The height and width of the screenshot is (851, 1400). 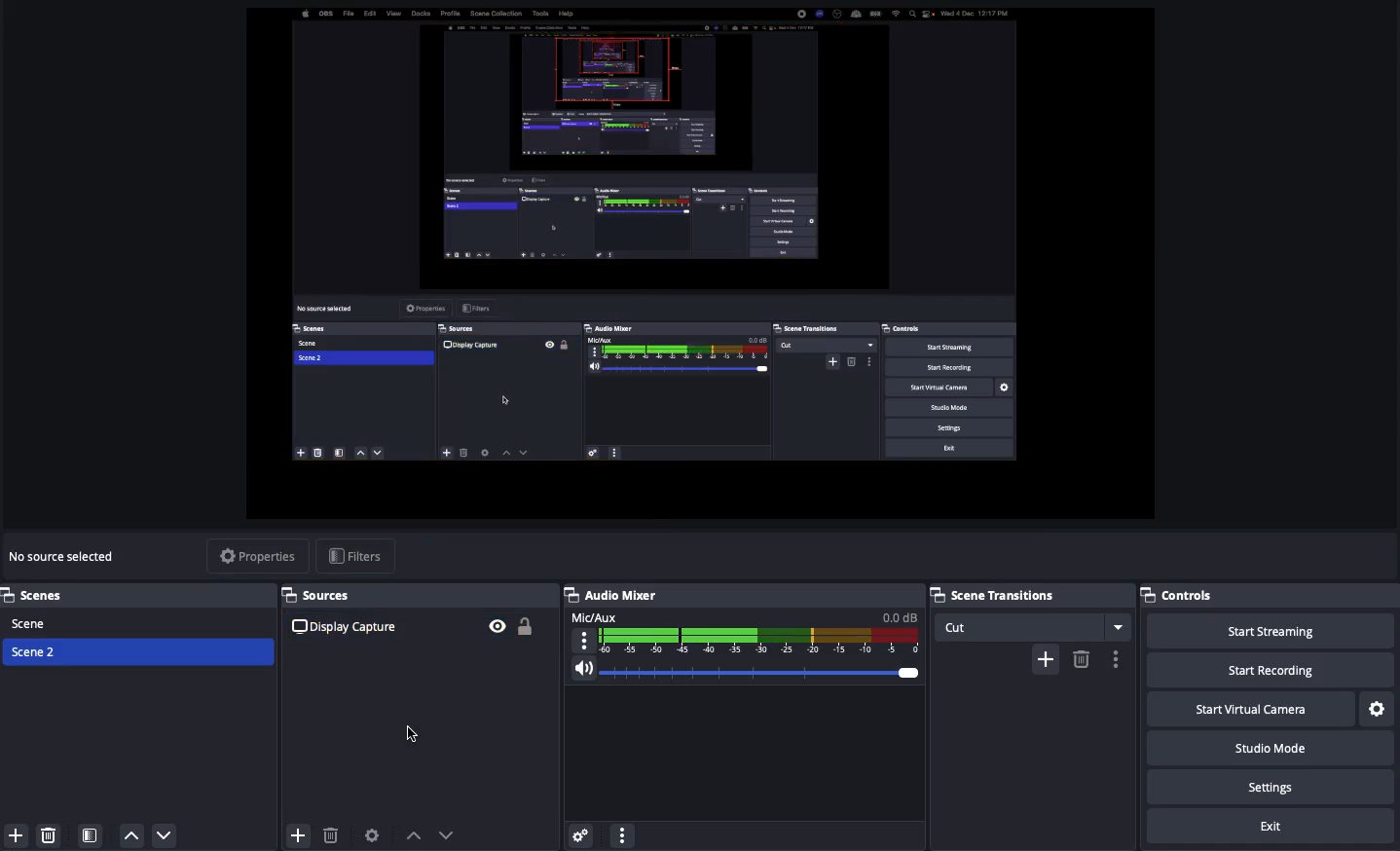 What do you see at coordinates (293, 833) in the screenshot?
I see `add` at bounding box center [293, 833].